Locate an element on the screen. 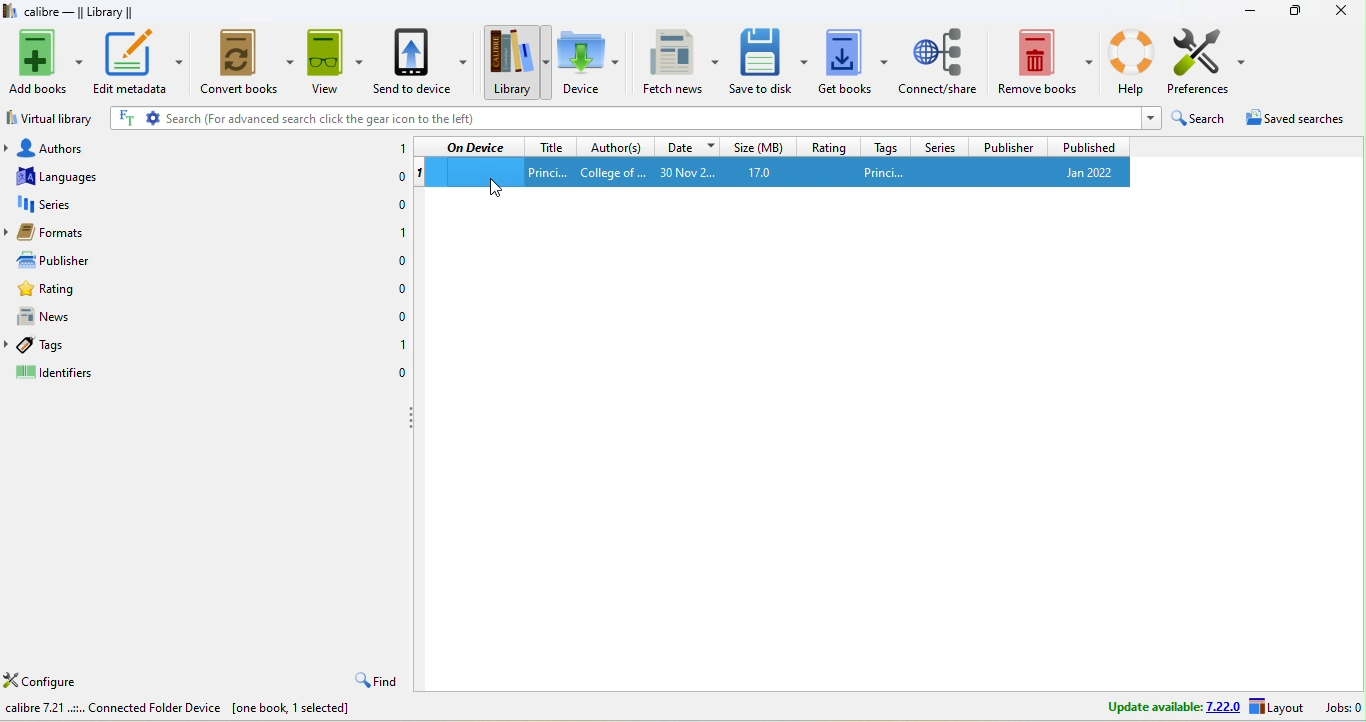  calibre-library is located at coordinates (85, 13).